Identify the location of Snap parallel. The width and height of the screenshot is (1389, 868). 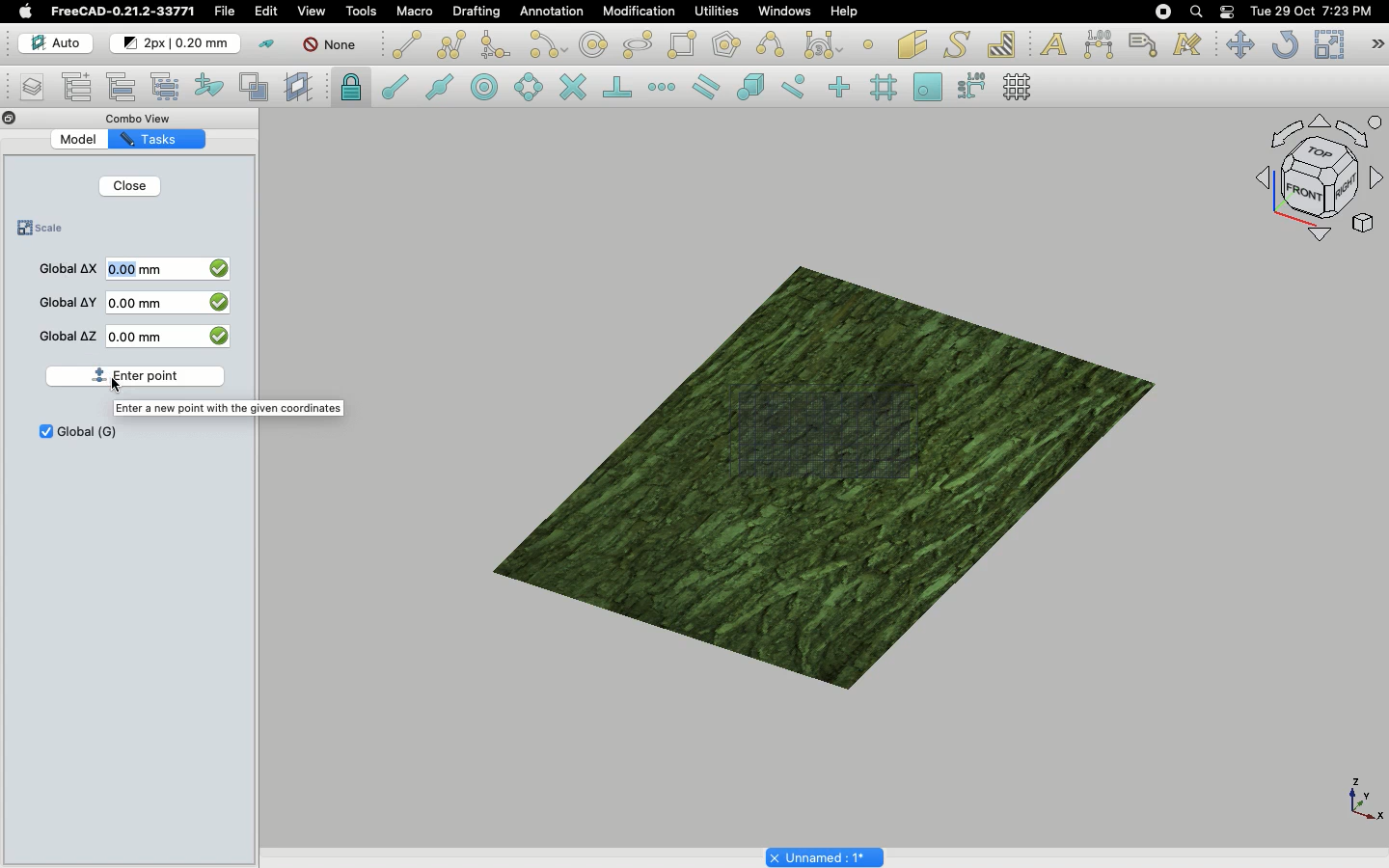
(704, 87).